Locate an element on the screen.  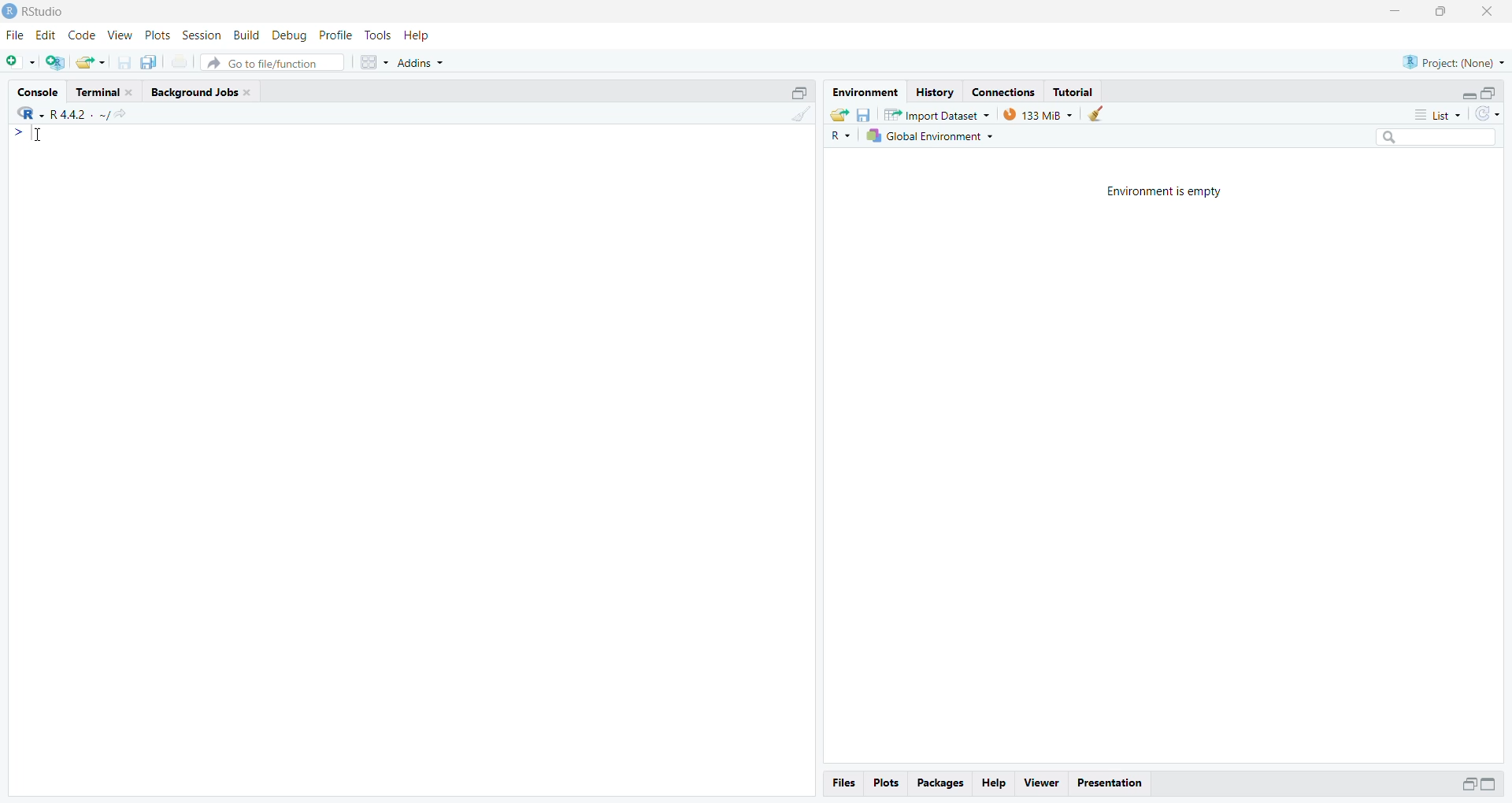
>  is located at coordinates (13, 134).